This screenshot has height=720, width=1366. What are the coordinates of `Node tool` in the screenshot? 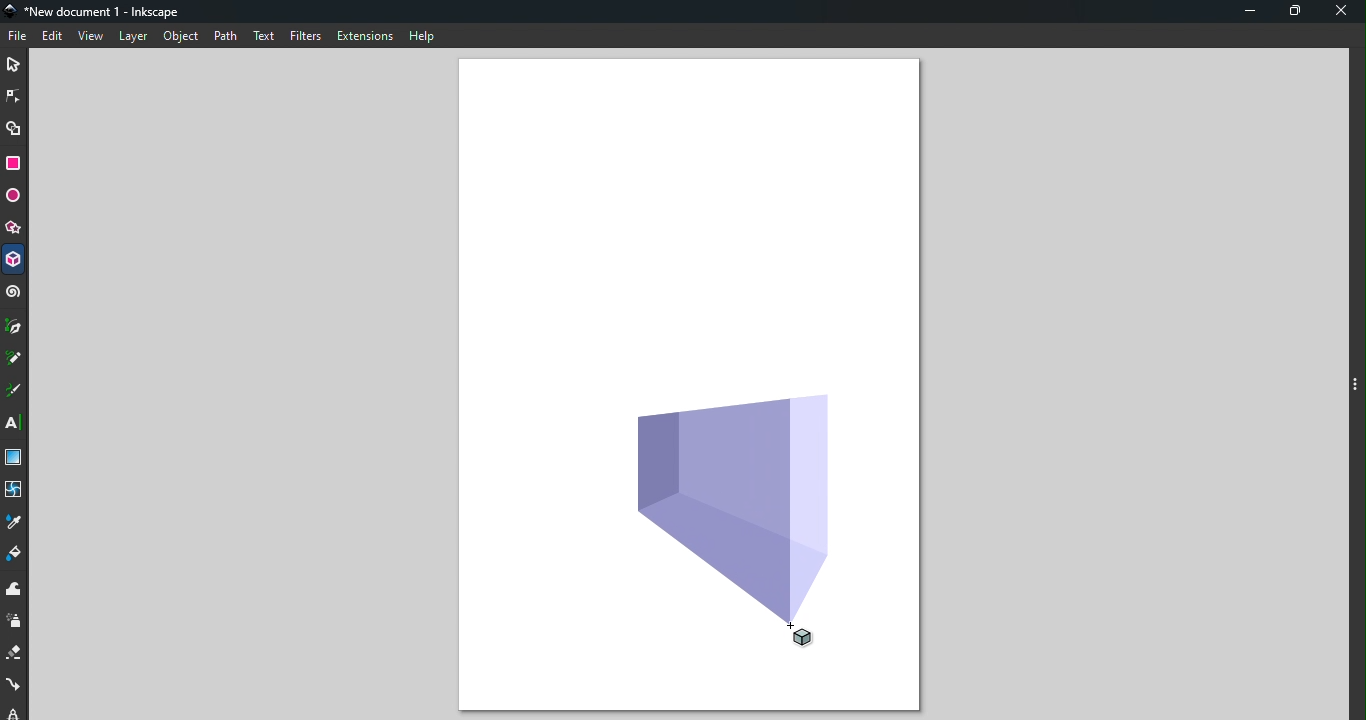 It's located at (14, 98).